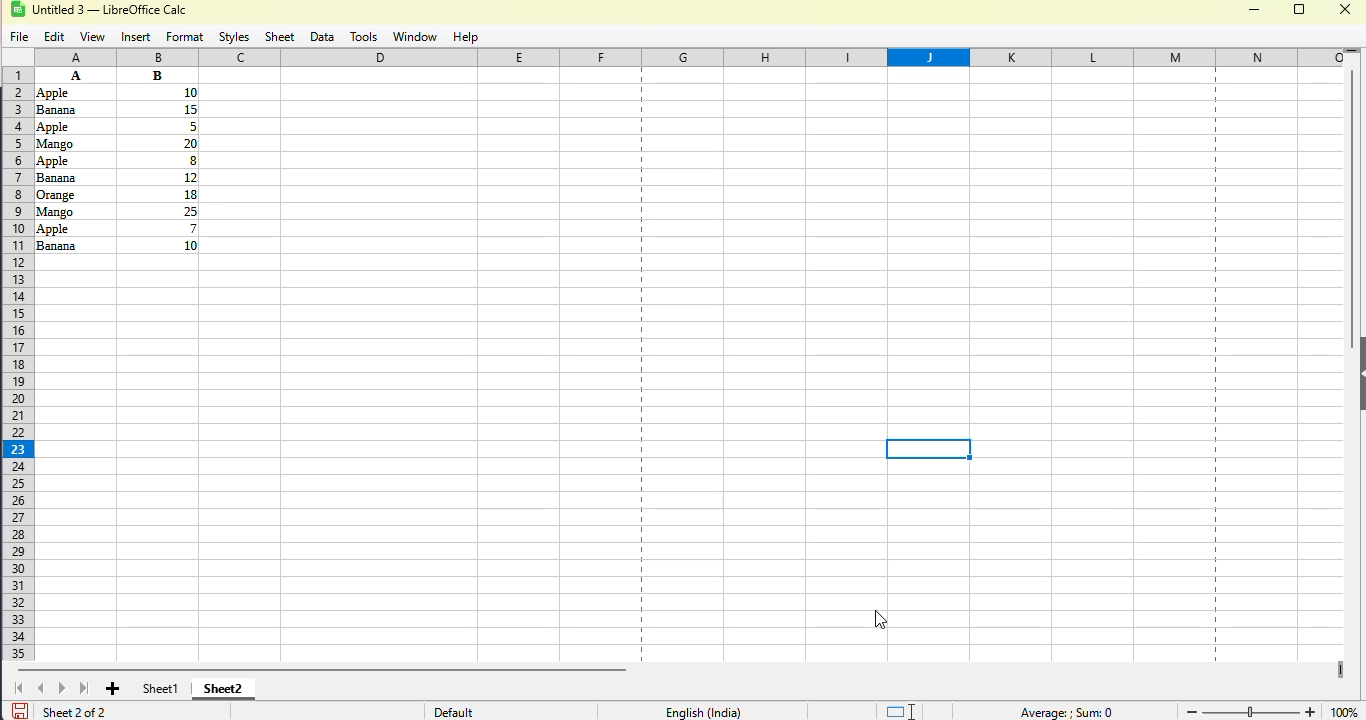  Describe the element at coordinates (1065, 712) in the screenshot. I see `Average ; Sum 0` at that location.